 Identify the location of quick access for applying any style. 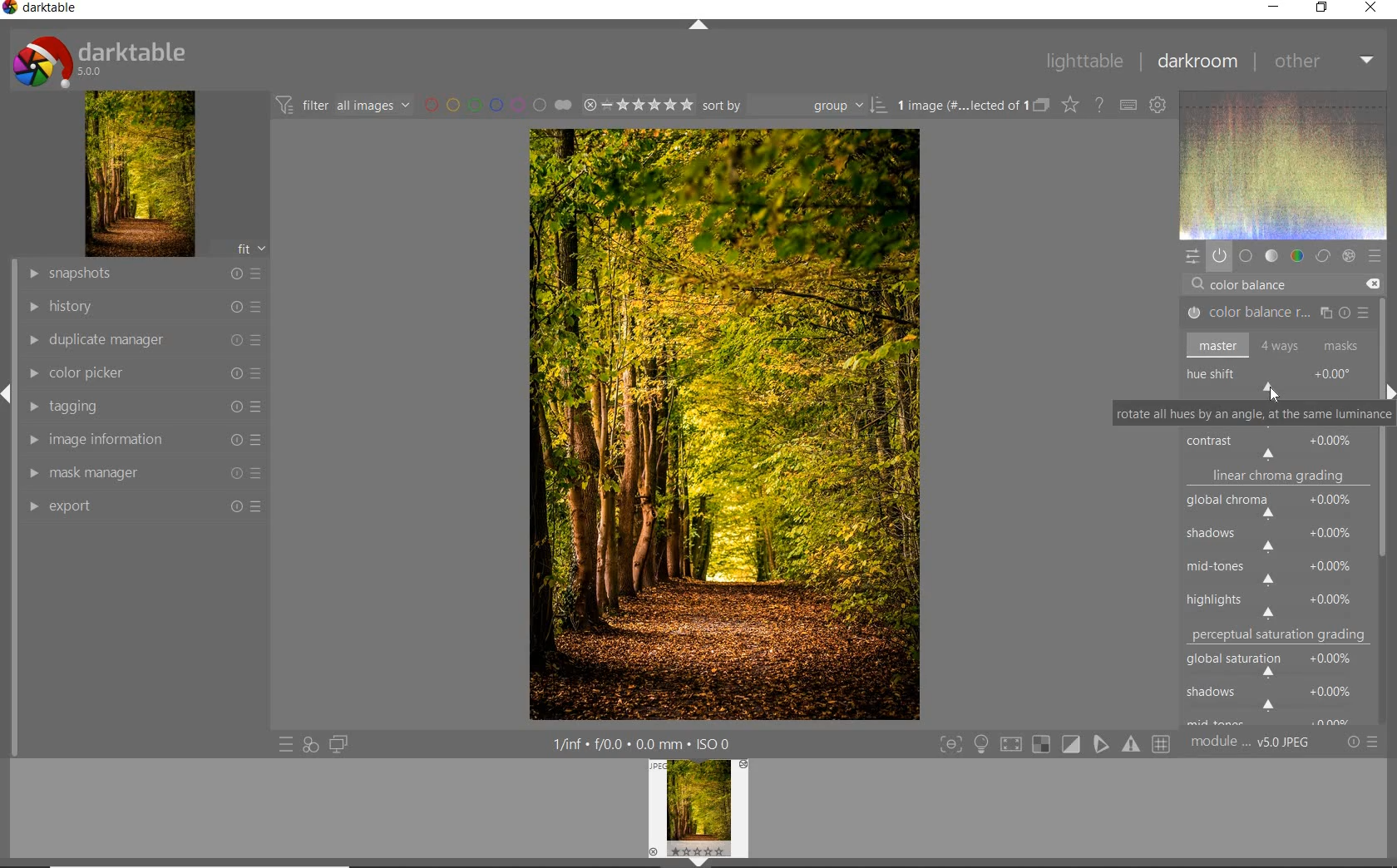
(311, 745).